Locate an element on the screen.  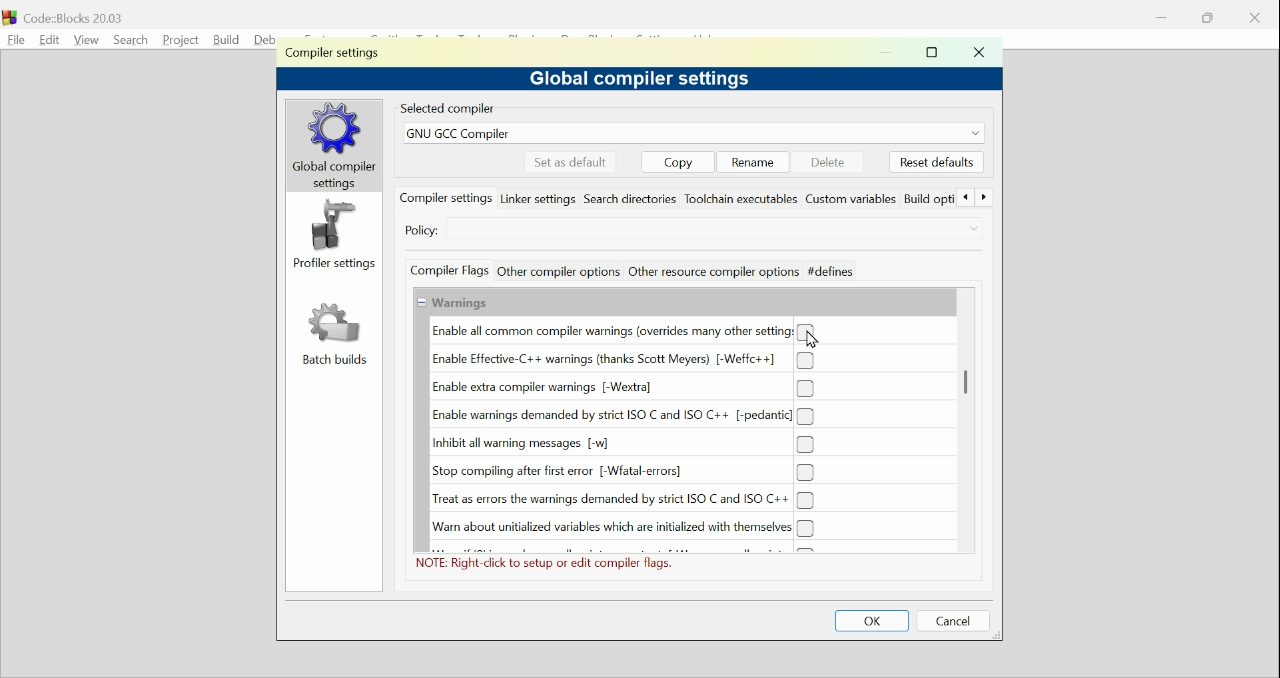
Selected compiler is located at coordinates (454, 109).